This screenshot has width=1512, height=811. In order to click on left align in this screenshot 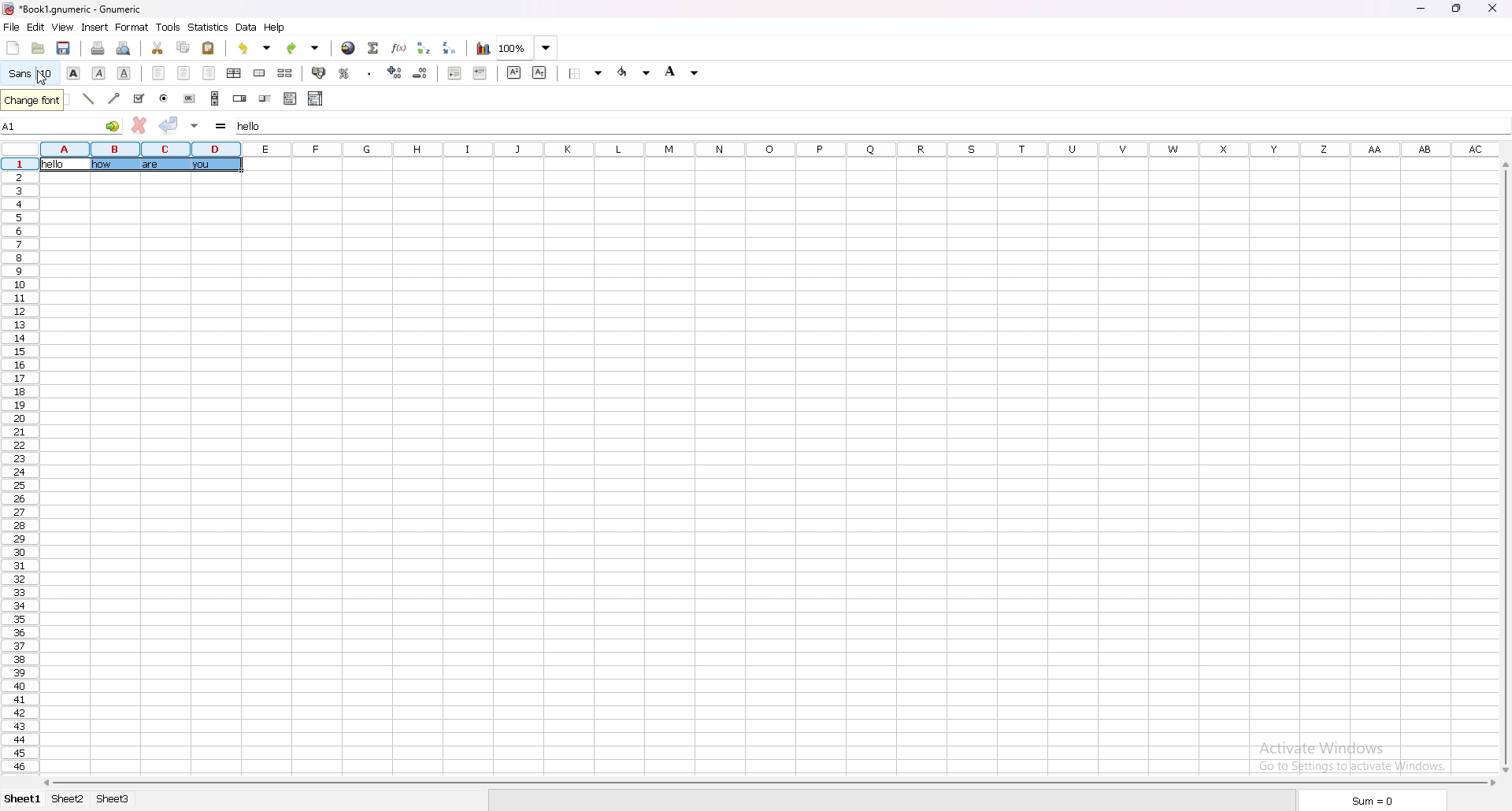, I will do `click(159, 73)`.